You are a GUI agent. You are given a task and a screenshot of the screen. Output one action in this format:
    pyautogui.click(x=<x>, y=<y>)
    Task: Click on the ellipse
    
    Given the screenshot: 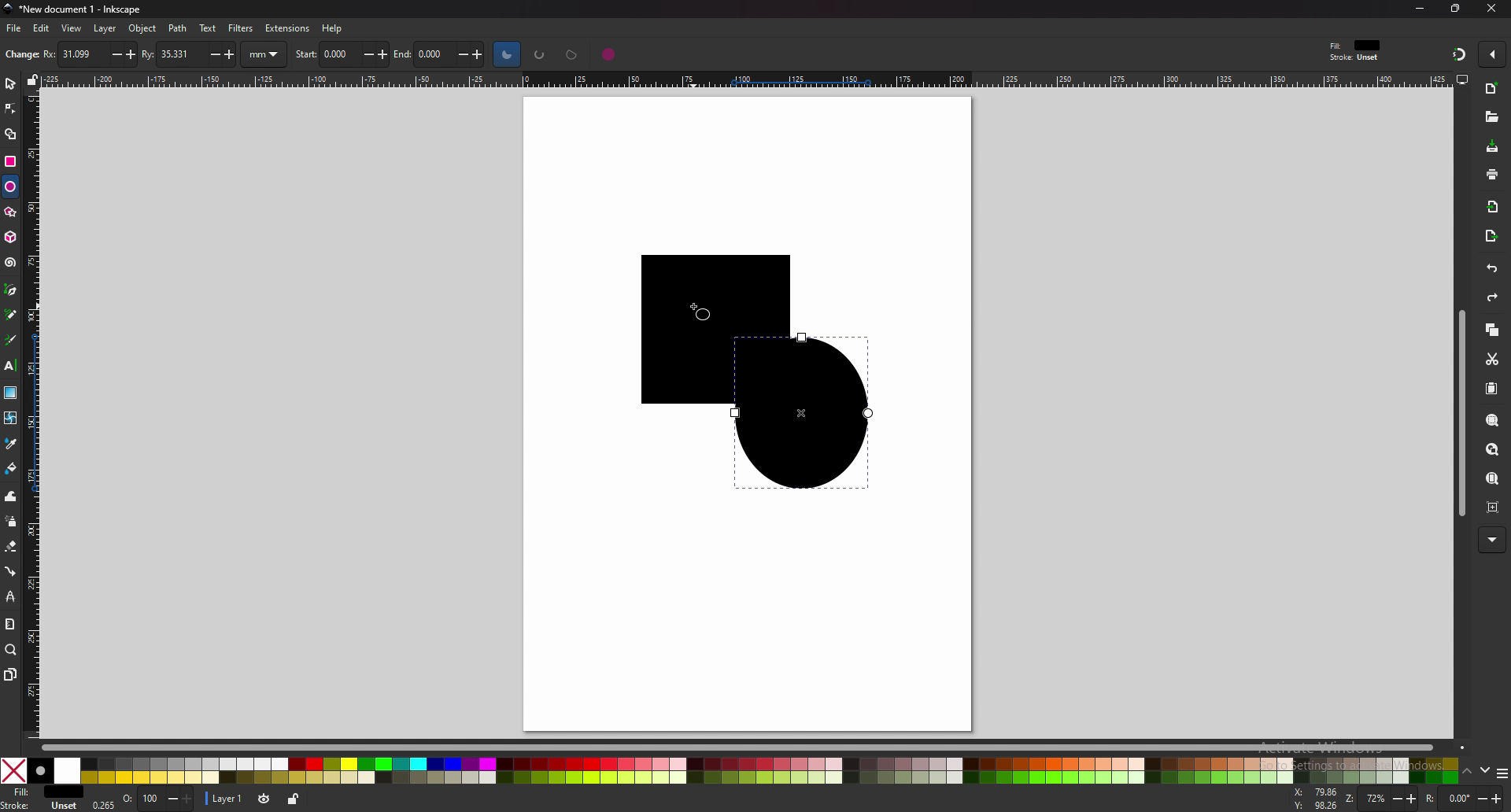 What is the action you would take?
    pyautogui.click(x=10, y=186)
    